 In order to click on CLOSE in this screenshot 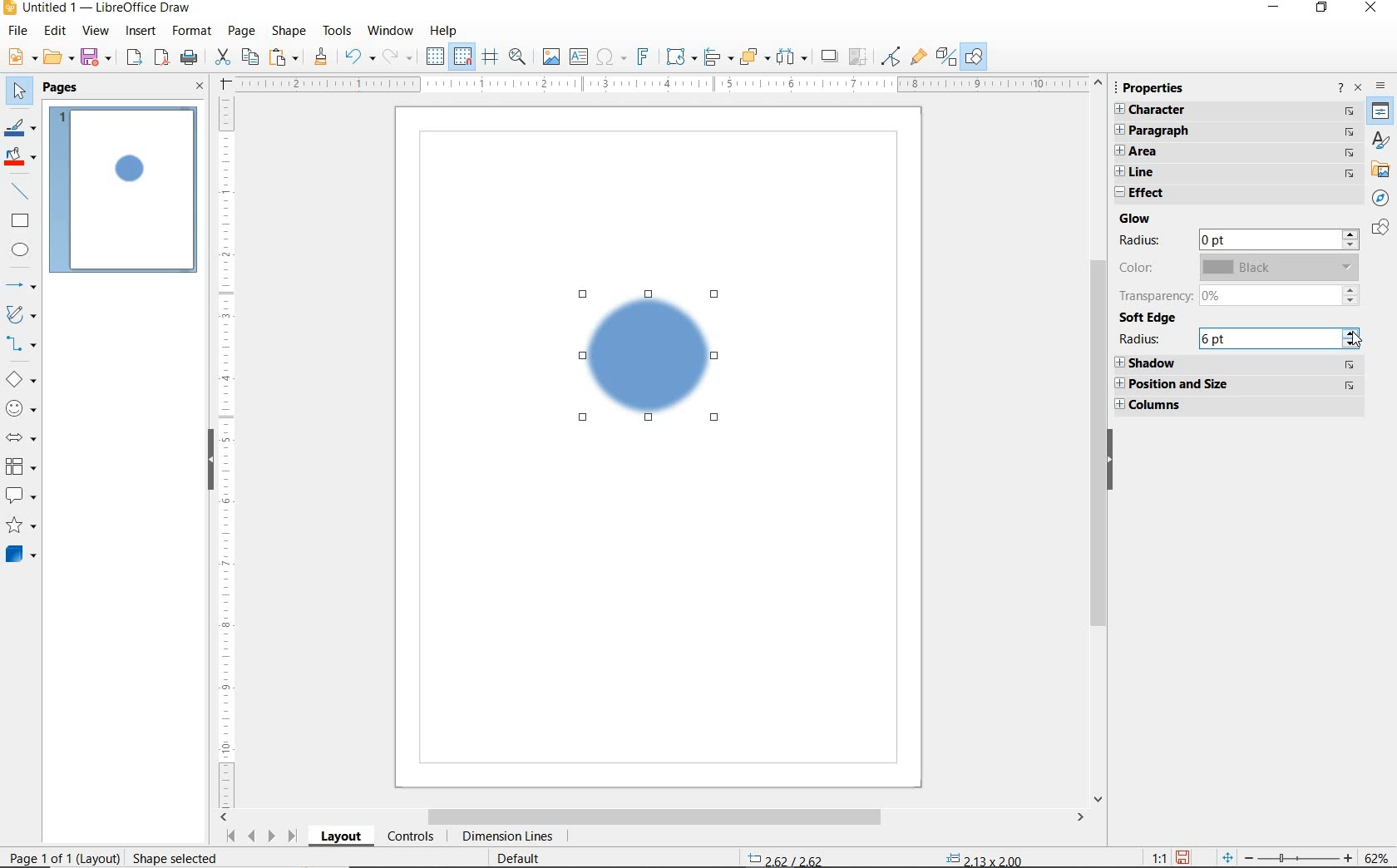, I will do `click(199, 86)`.